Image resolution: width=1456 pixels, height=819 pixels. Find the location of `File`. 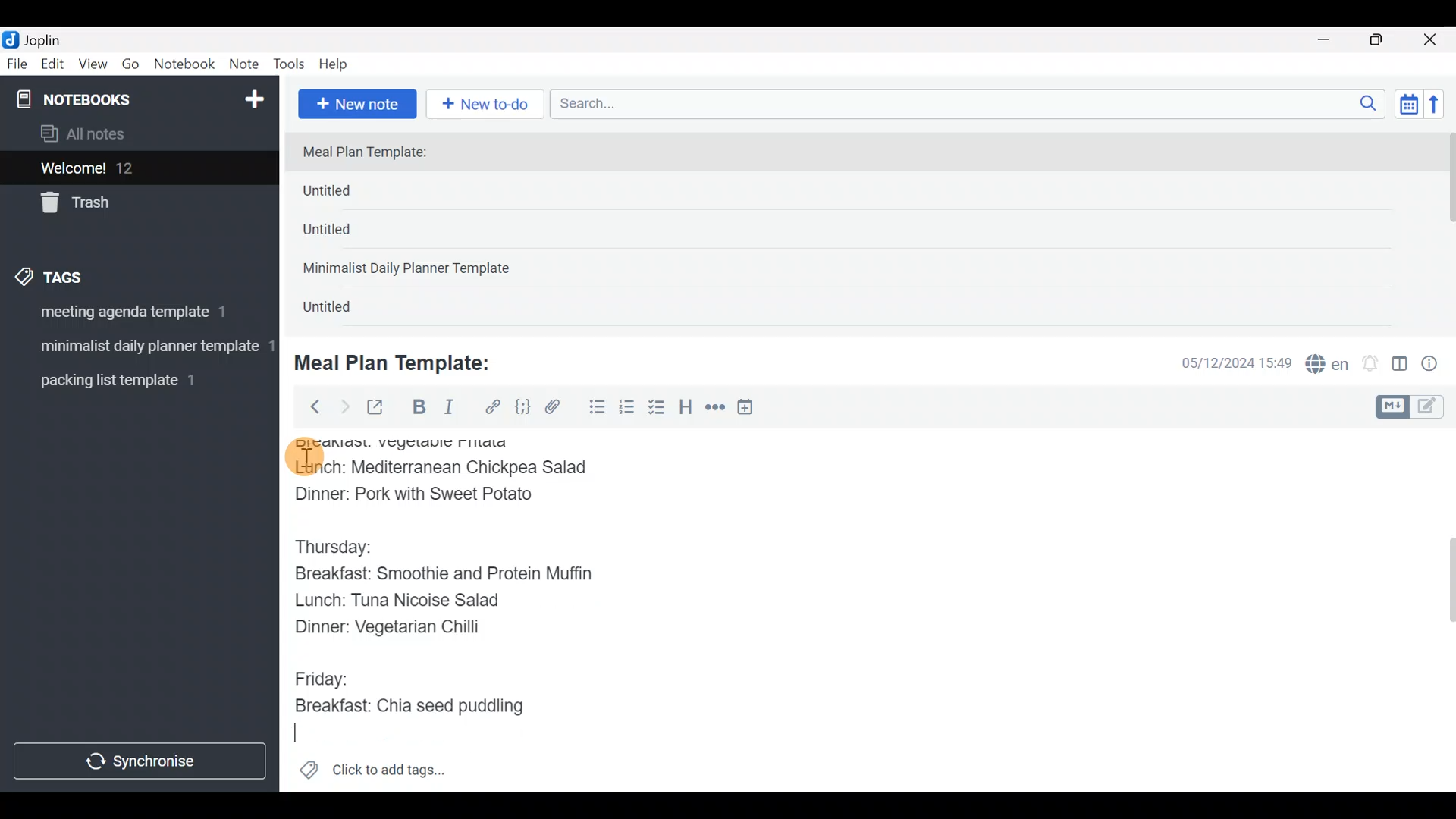

File is located at coordinates (18, 64).